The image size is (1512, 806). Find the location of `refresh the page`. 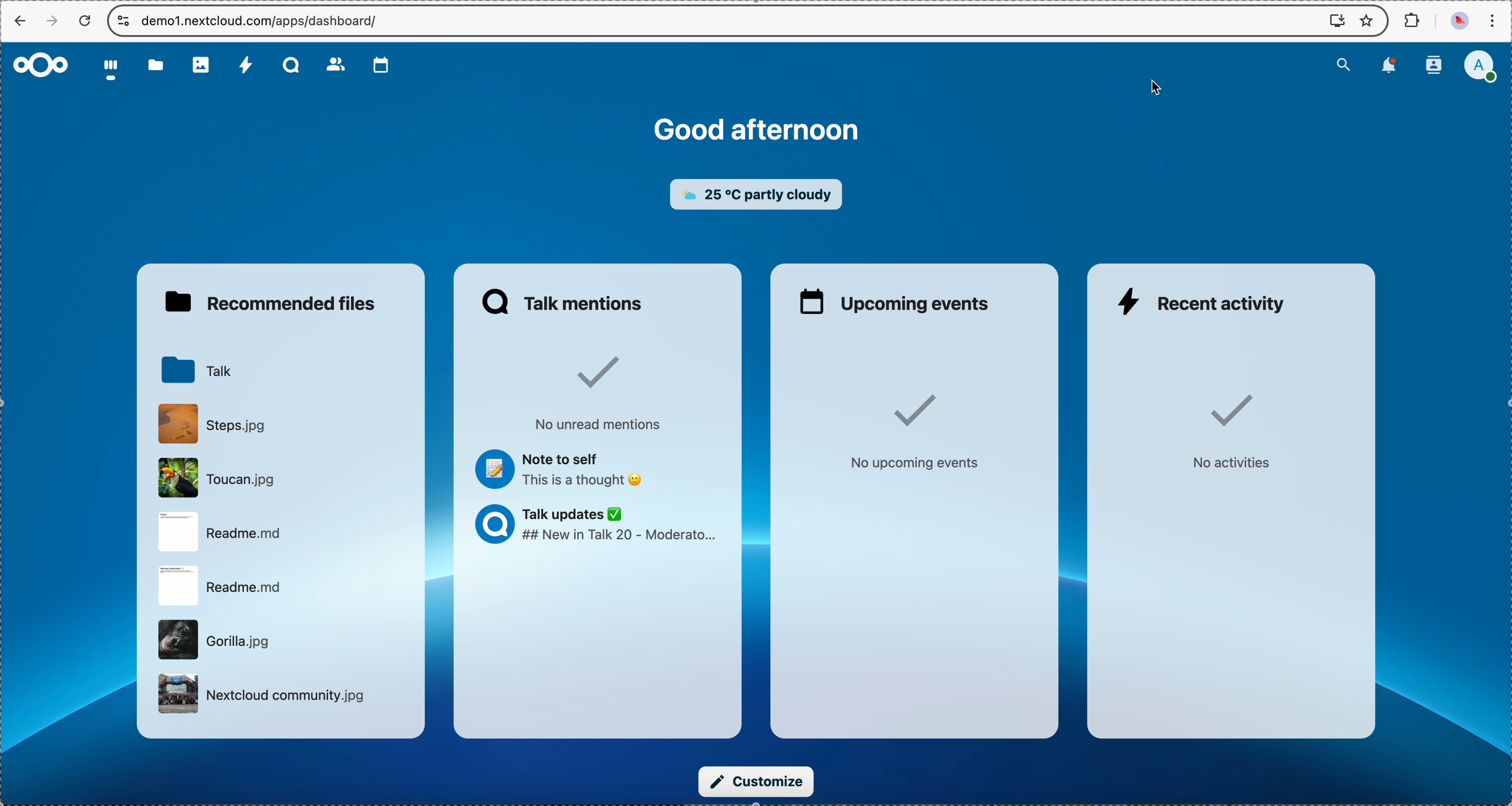

refresh the page is located at coordinates (90, 22).